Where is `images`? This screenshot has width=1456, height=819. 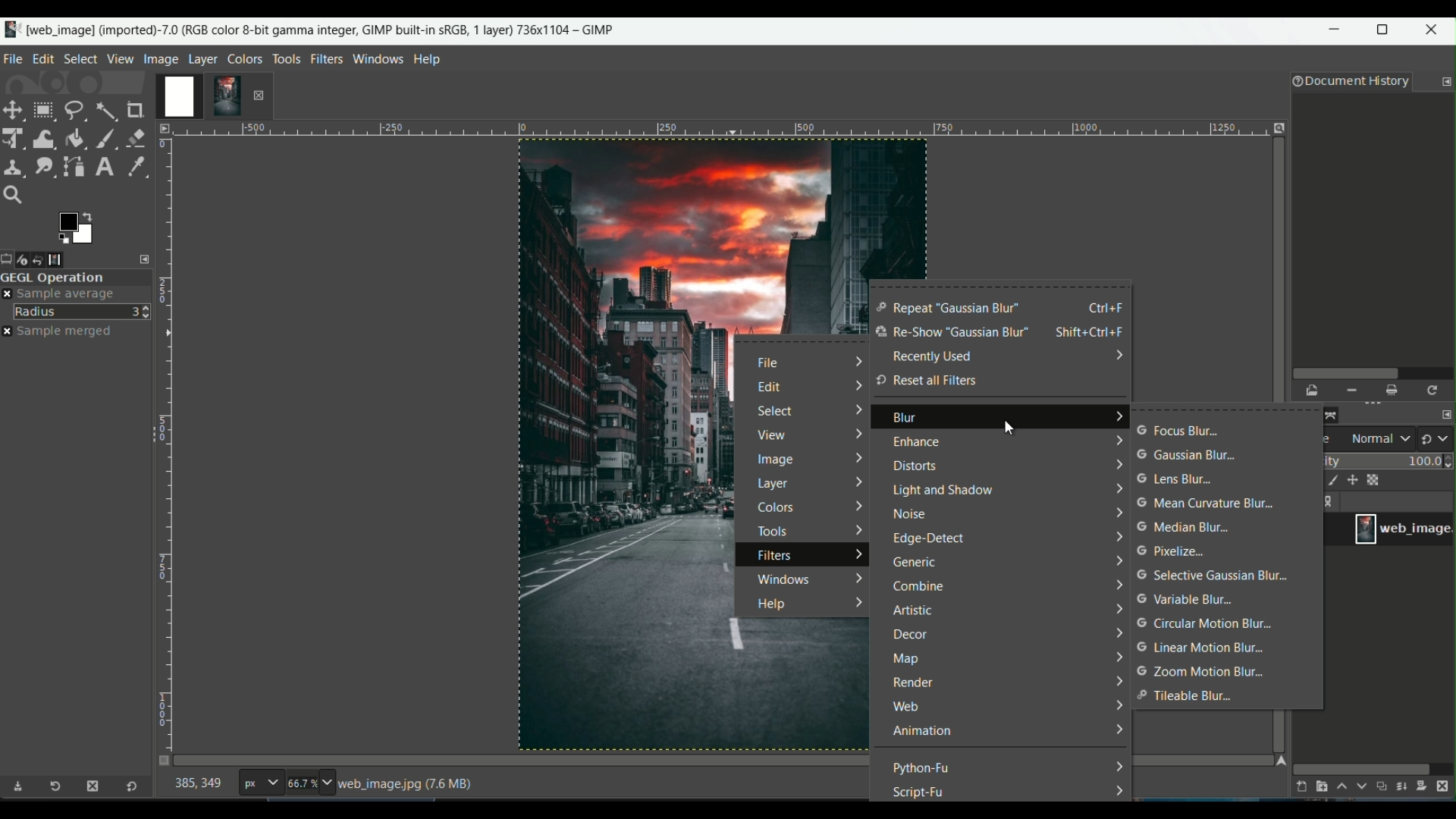 images is located at coordinates (66, 259).